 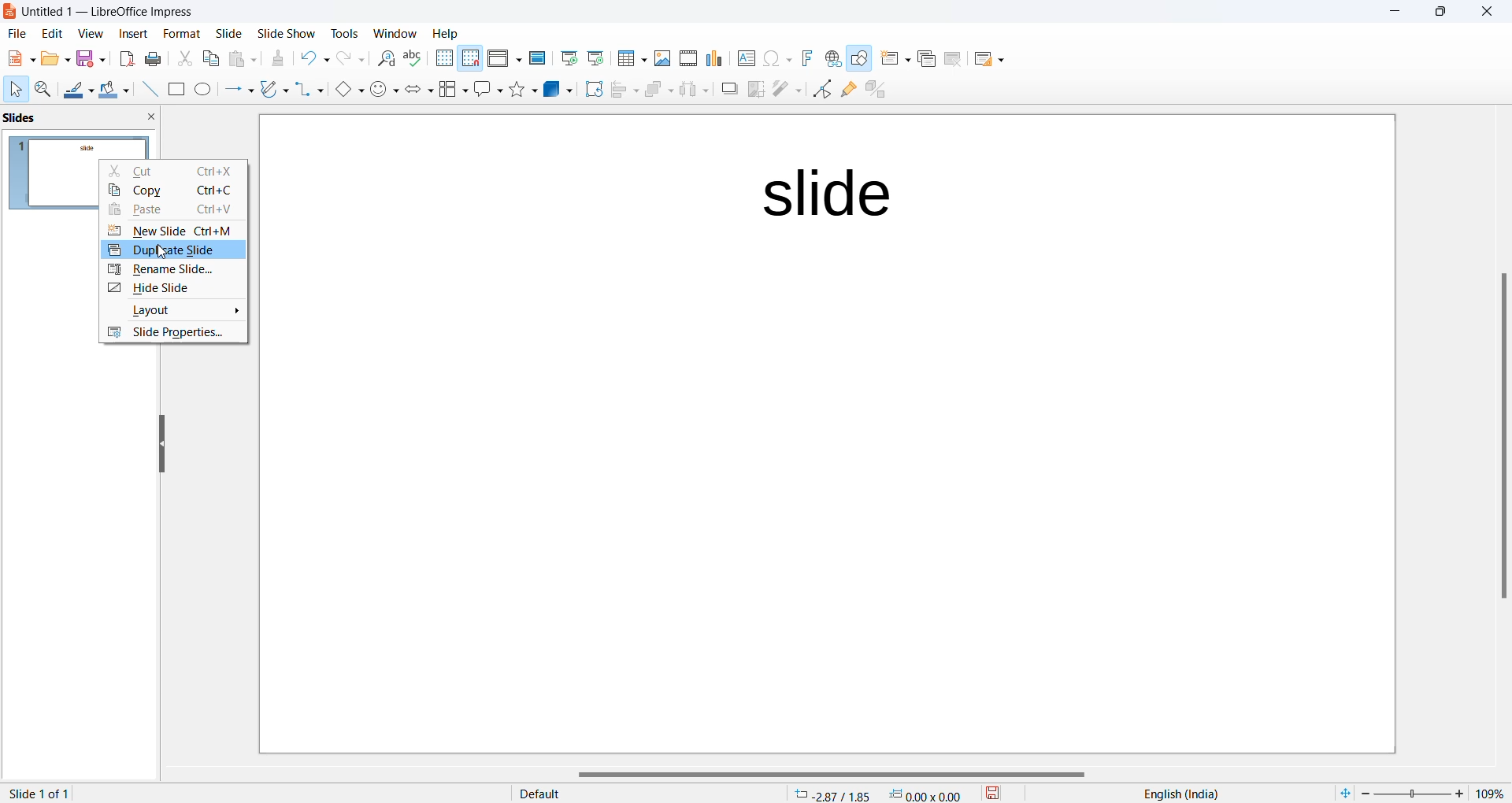 What do you see at coordinates (282, 60) in the screenshot?
I see `Clone formatting` at bounding box center [282, 60].